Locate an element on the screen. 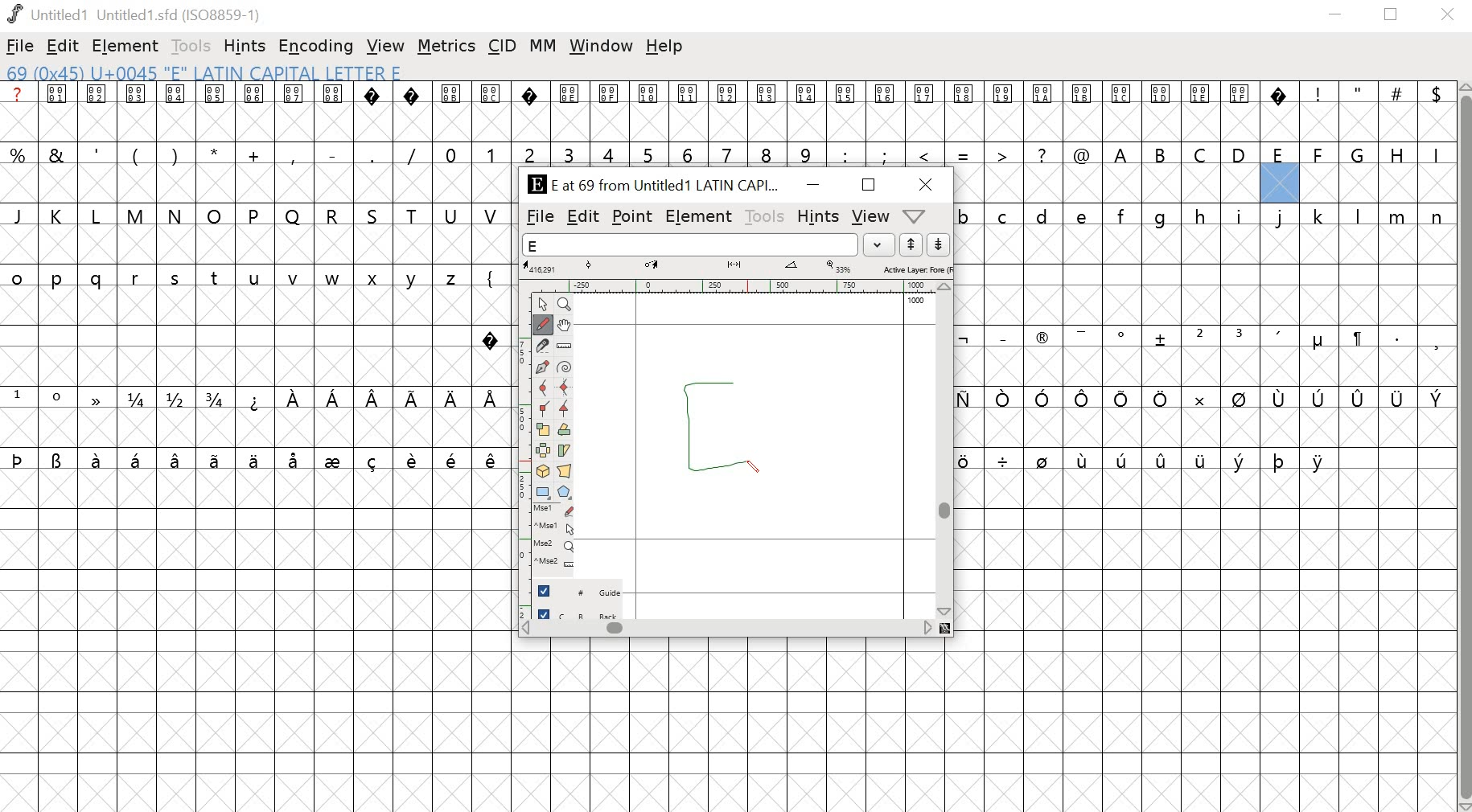 The image size is (1472, 812). Rectangle/ellipse is located at coordinates (542, 493).